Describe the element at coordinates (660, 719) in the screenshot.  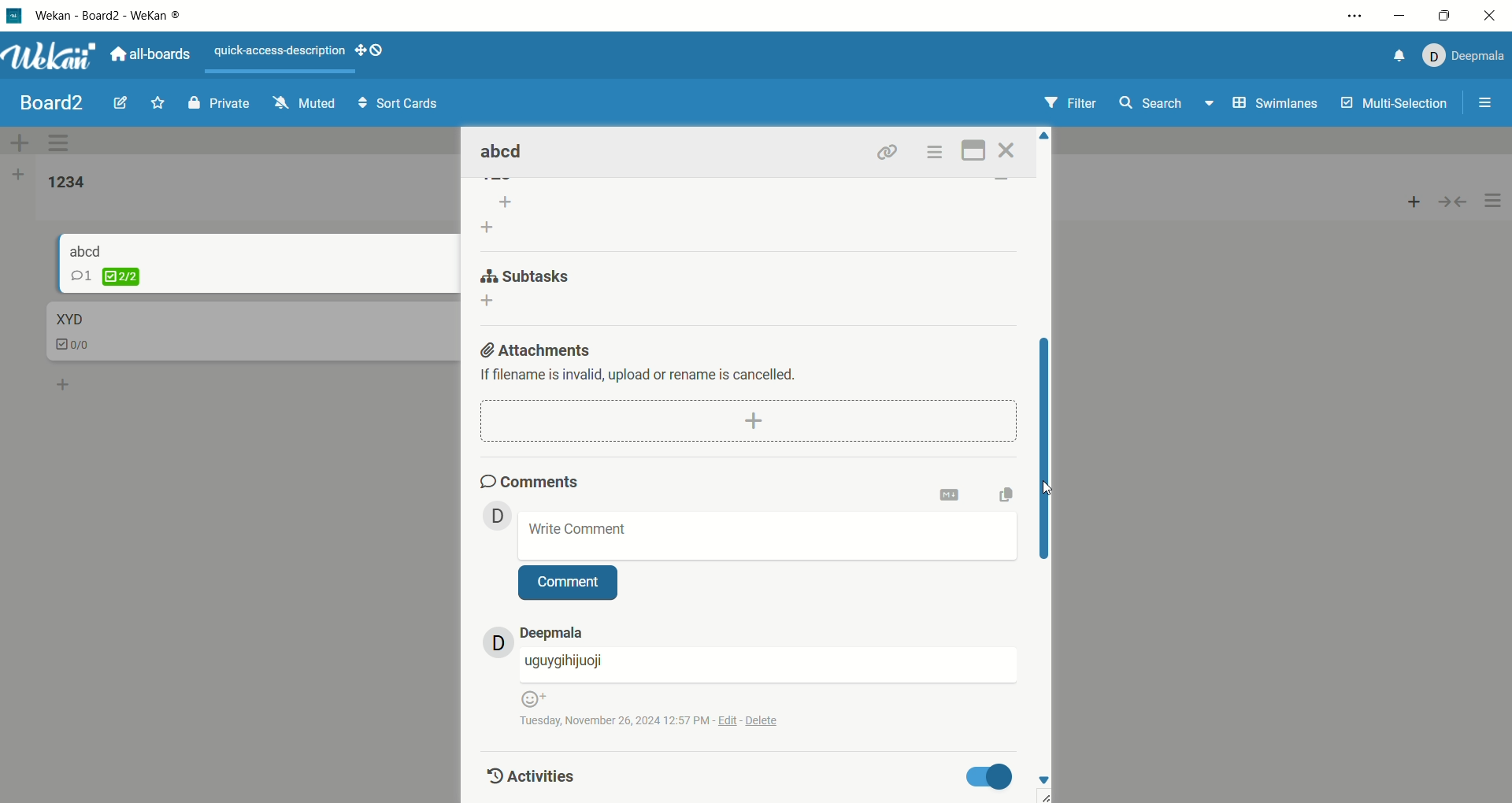
I see `time and date` at that location.